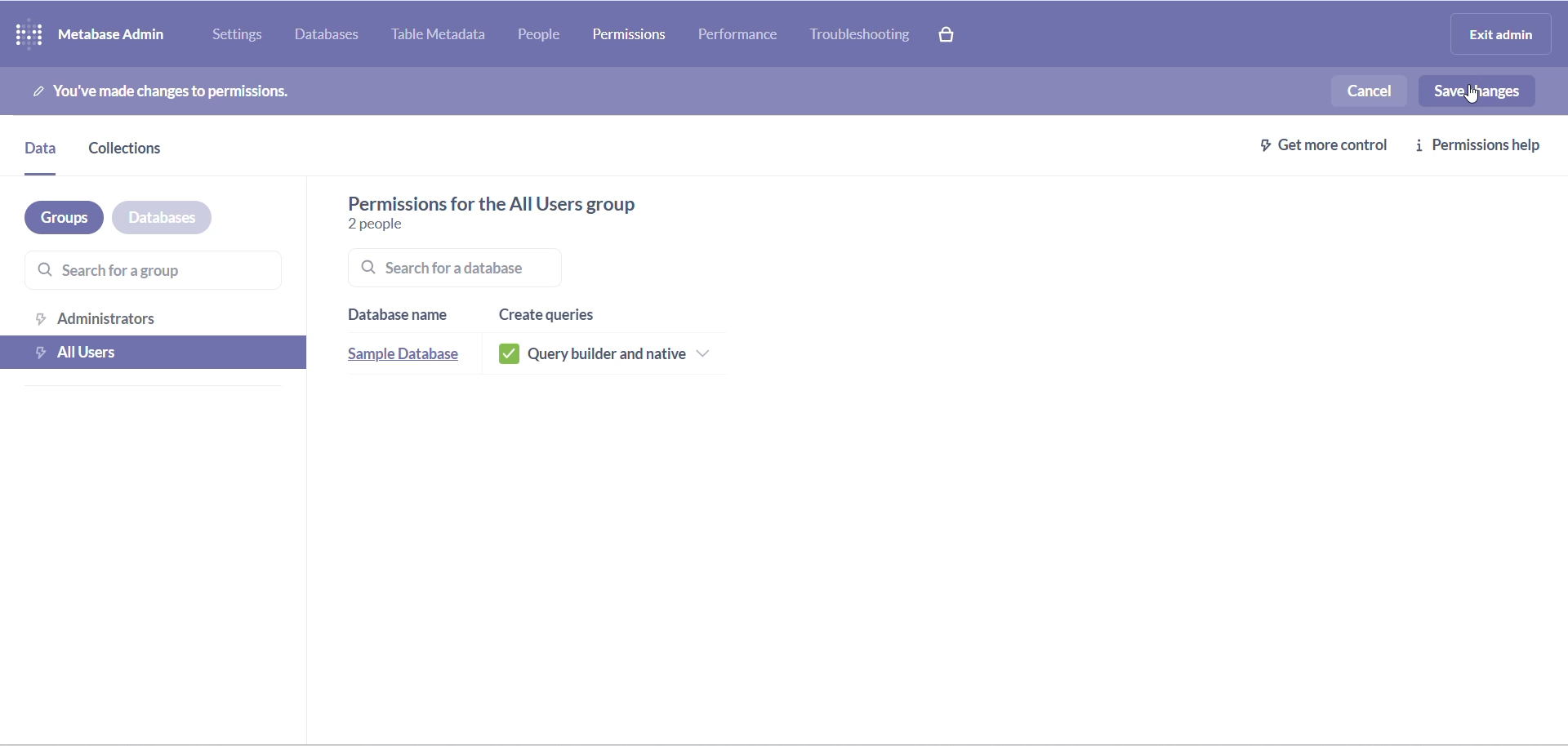 This screenshot has width=1568, height=746. Describe the element at coordinates (239, 34) in the screenshot. I see `settings` at that location.